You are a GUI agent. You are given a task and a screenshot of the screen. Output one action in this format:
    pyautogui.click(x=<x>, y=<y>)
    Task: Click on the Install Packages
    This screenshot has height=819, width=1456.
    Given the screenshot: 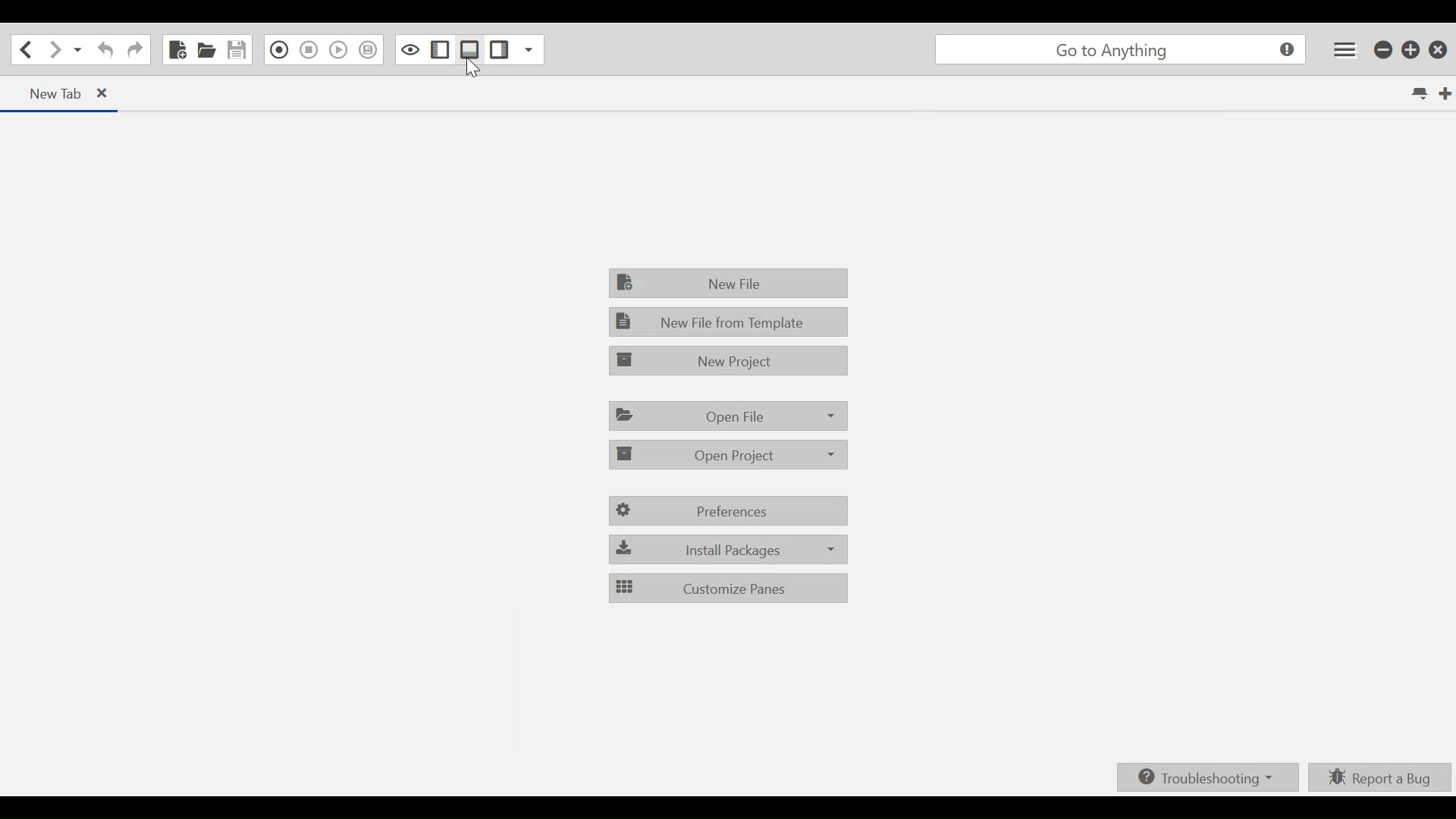 What is the action you would take?
    pyautogui.click(x=726, y=548)
    